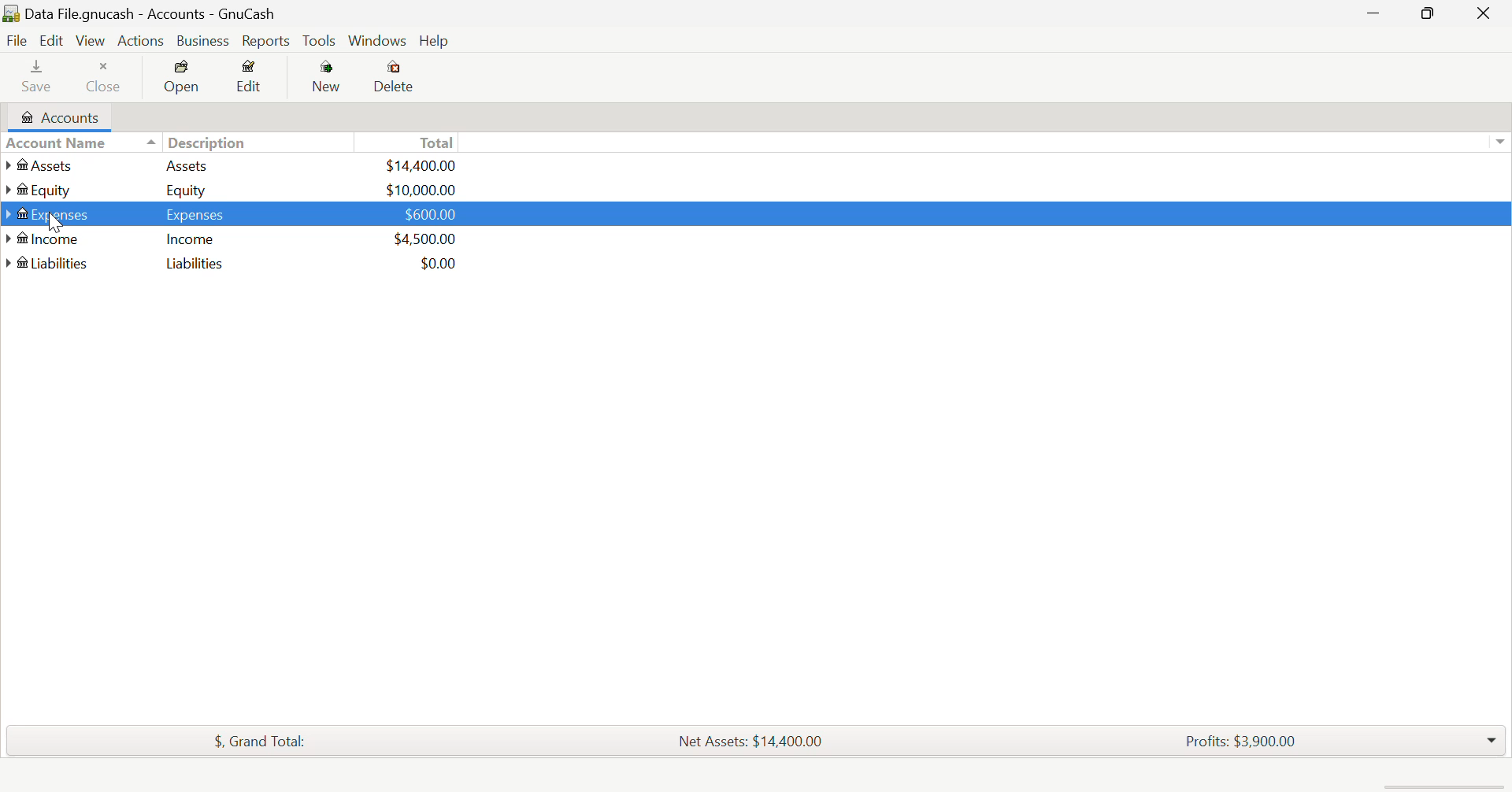  I want to click on Total, so click(255, 742).